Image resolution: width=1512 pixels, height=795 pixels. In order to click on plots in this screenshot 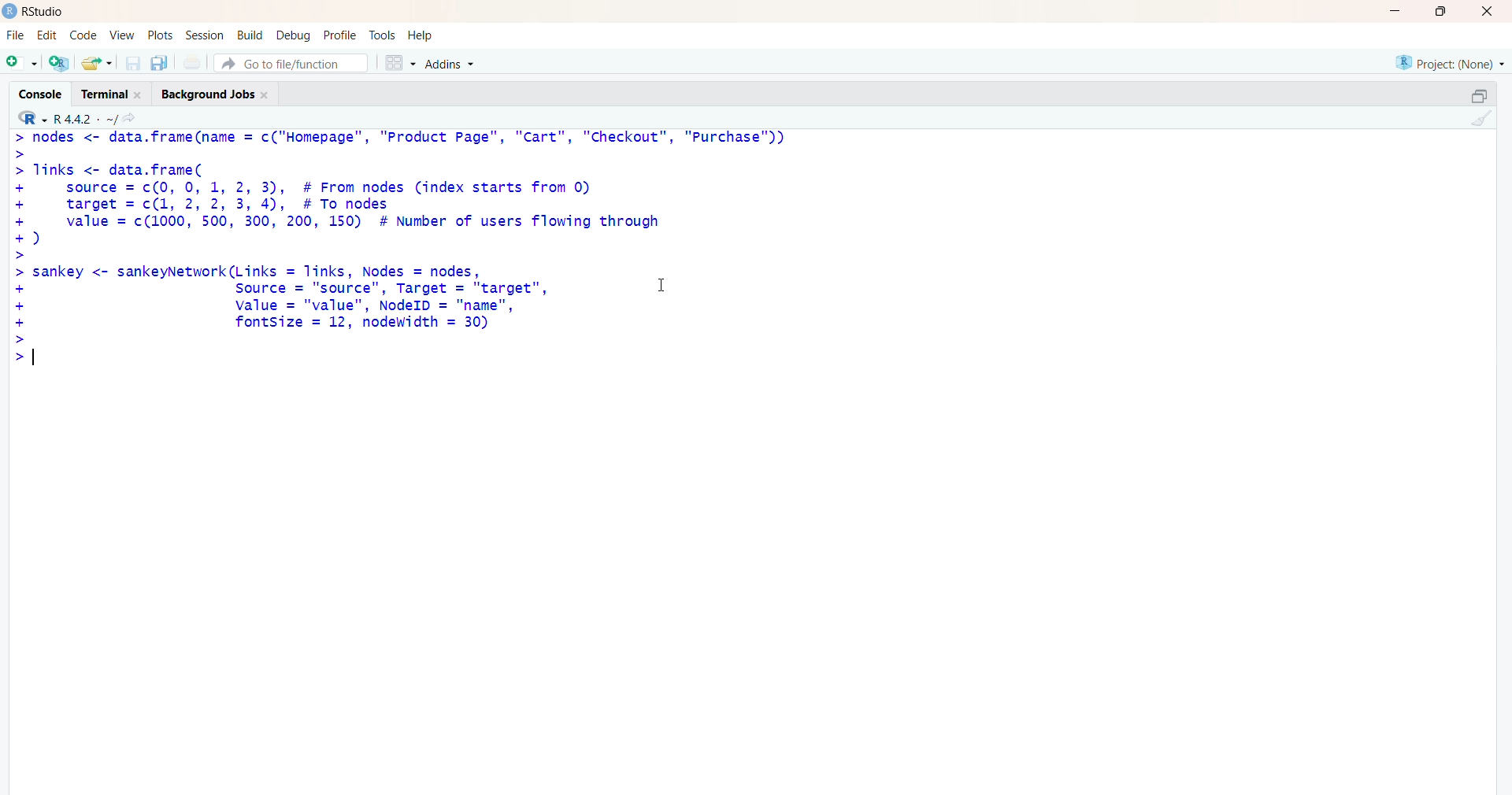, I will do `click(156, 33)`.